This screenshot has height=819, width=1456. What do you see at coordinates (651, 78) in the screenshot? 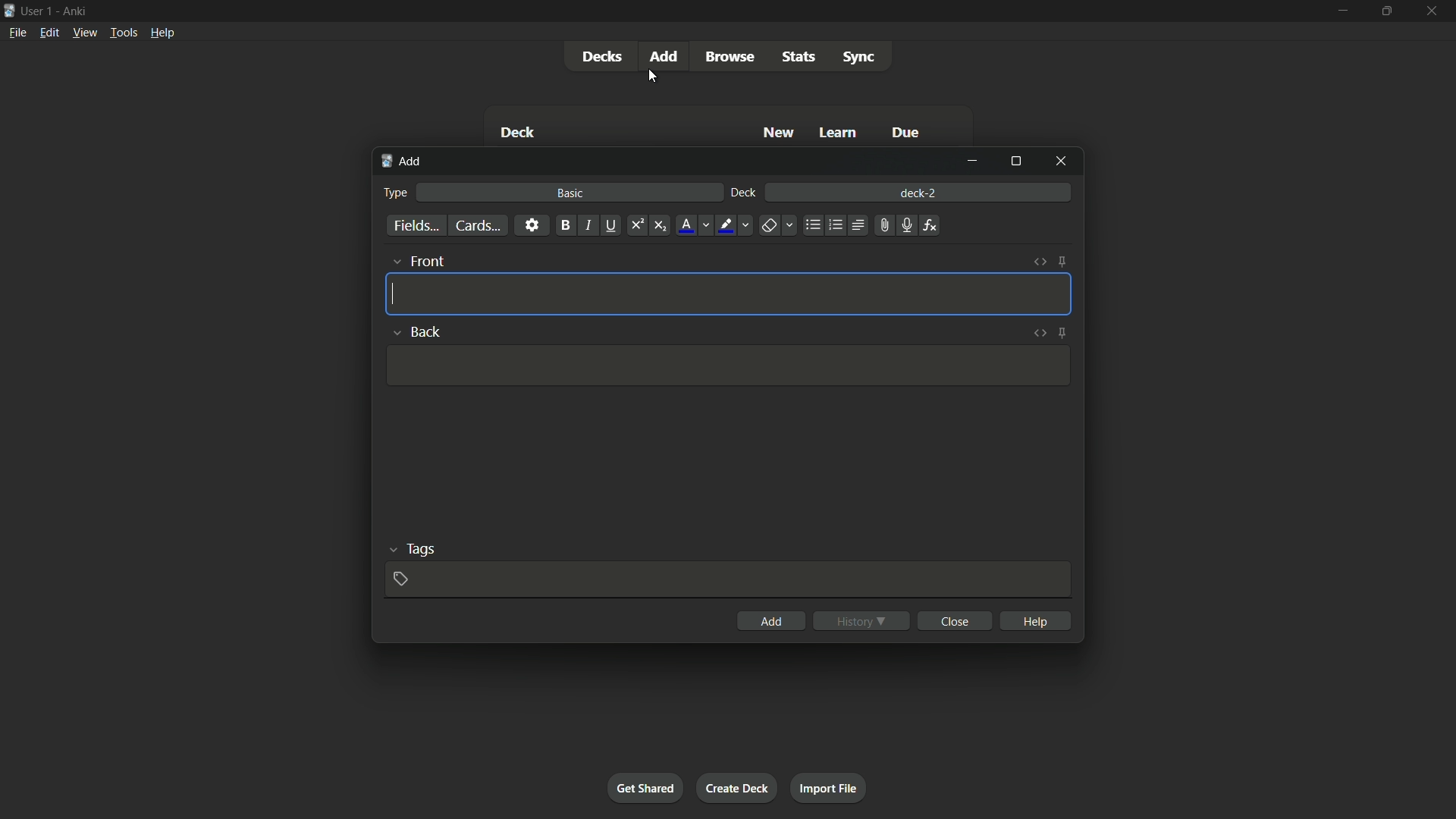
I see `cursor` at bounding box center [651, 78].